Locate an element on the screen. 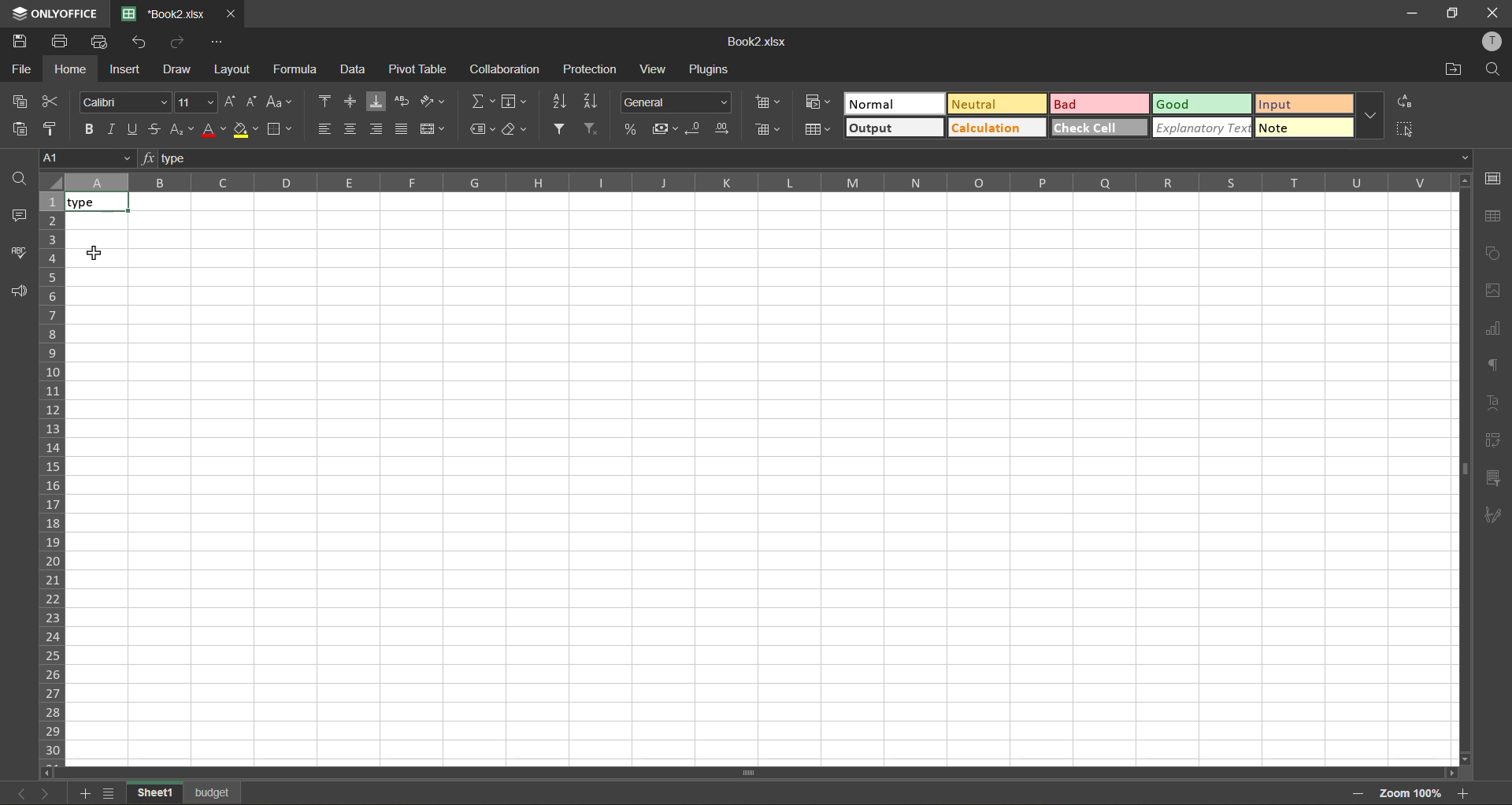 This screenshot has height=805, width=1512. scroll bar is located at coordinates (1462, 416).